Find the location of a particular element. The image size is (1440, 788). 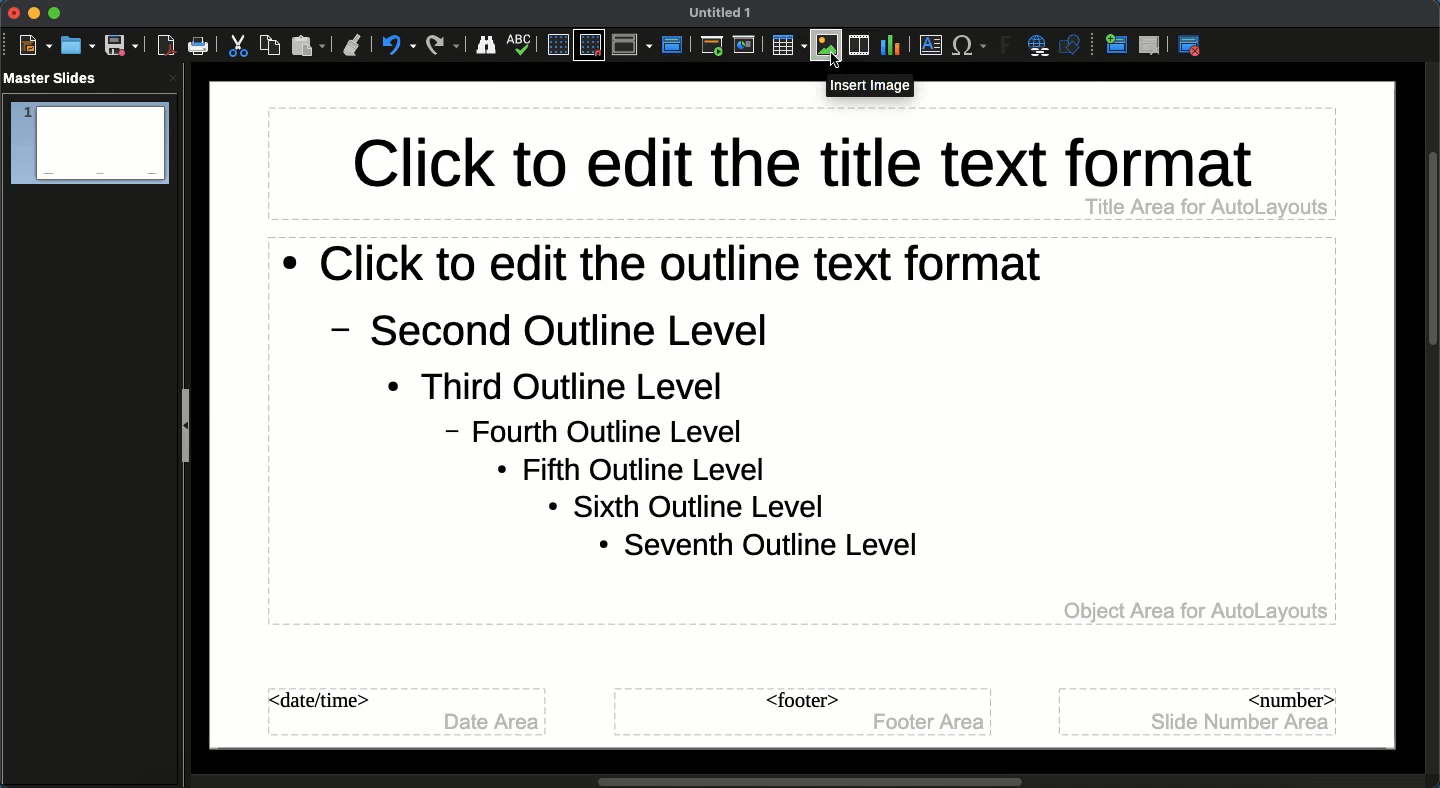

Master slide date is located at coordinates (408, 710).